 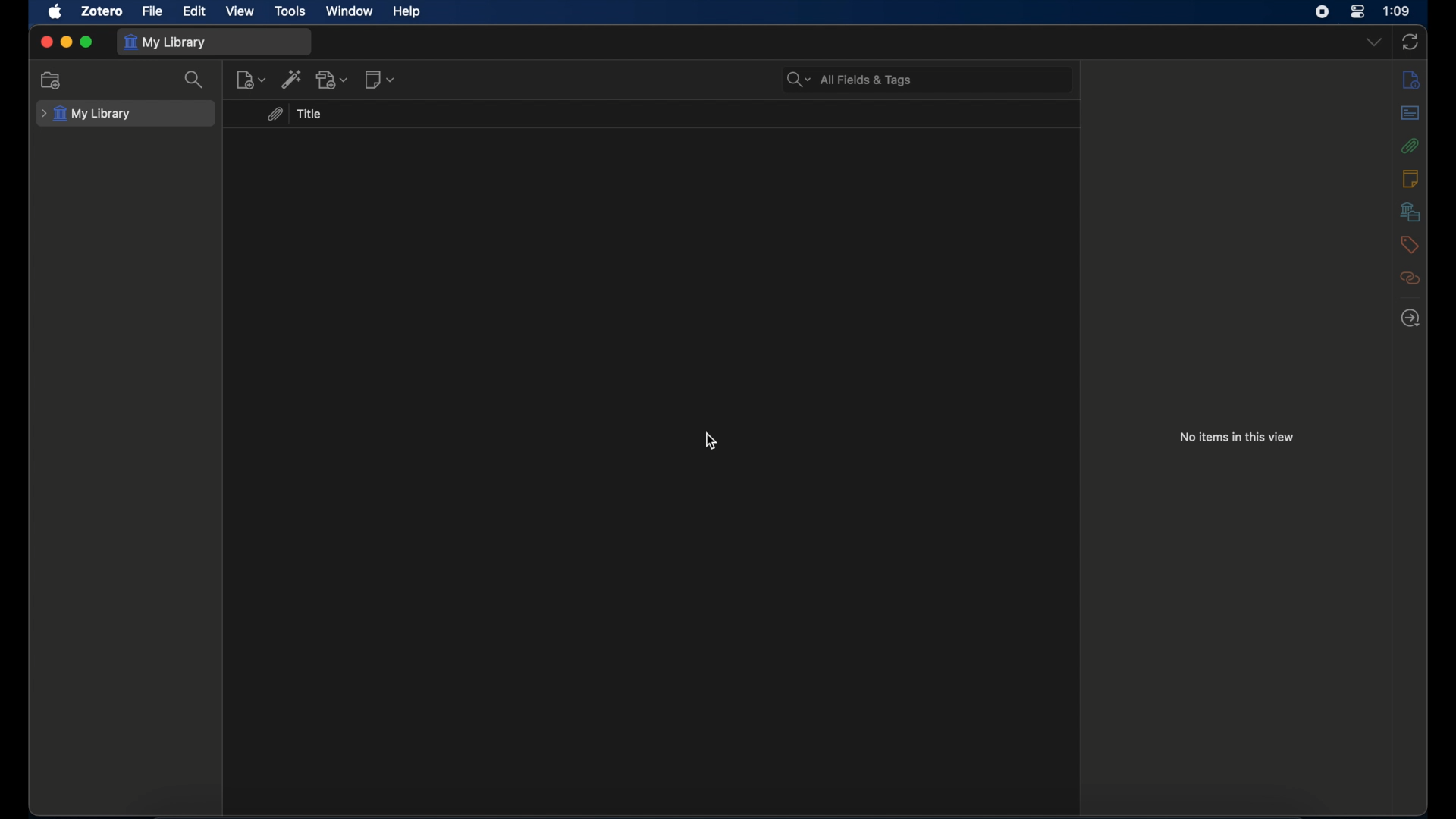 What do you see at coordinates (1238, 437) in the screenshot?
I see `no items in this view` at bounding box center [1238, 437].